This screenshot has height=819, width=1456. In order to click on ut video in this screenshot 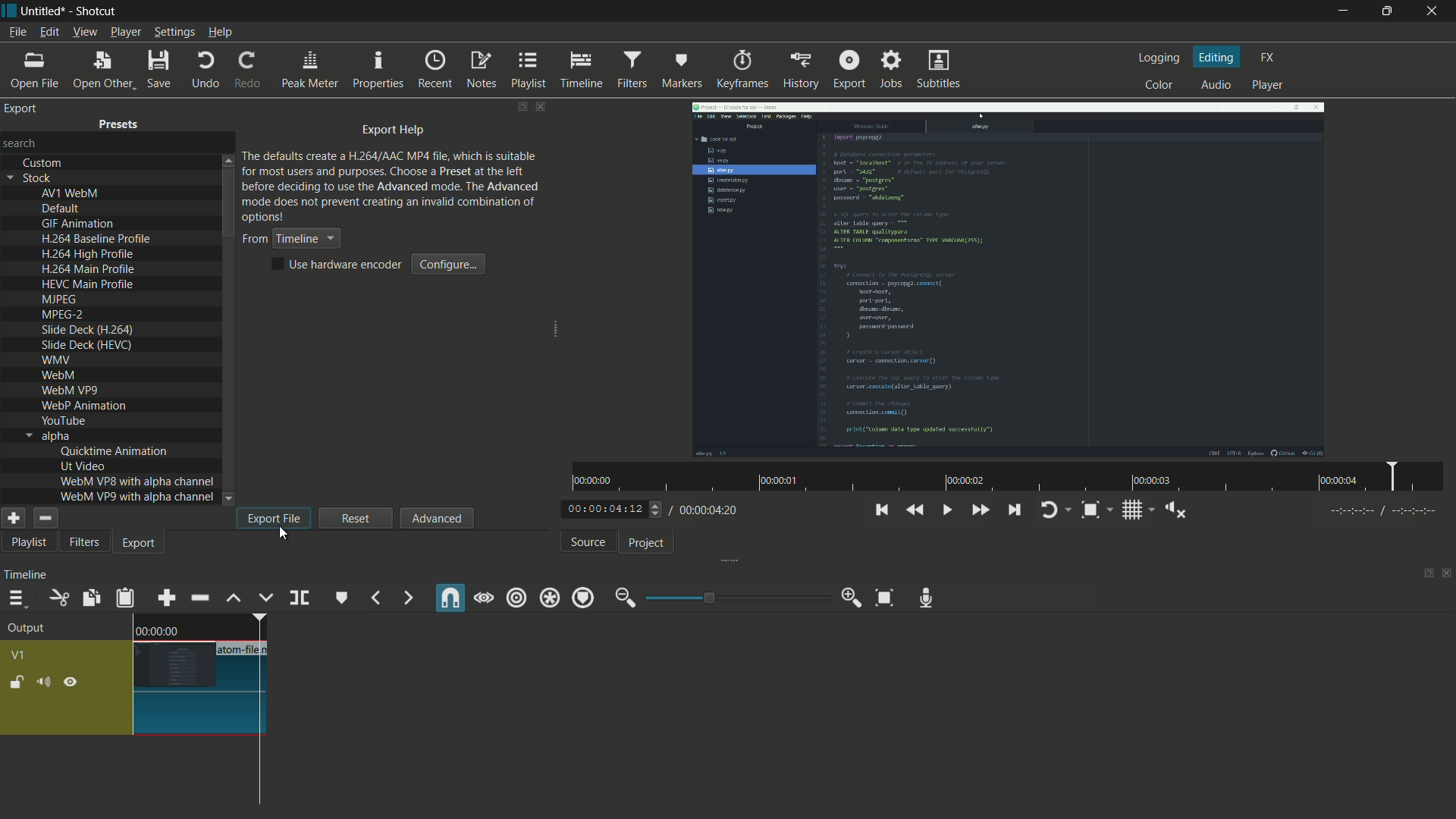, I will do `click(83, 466)`.